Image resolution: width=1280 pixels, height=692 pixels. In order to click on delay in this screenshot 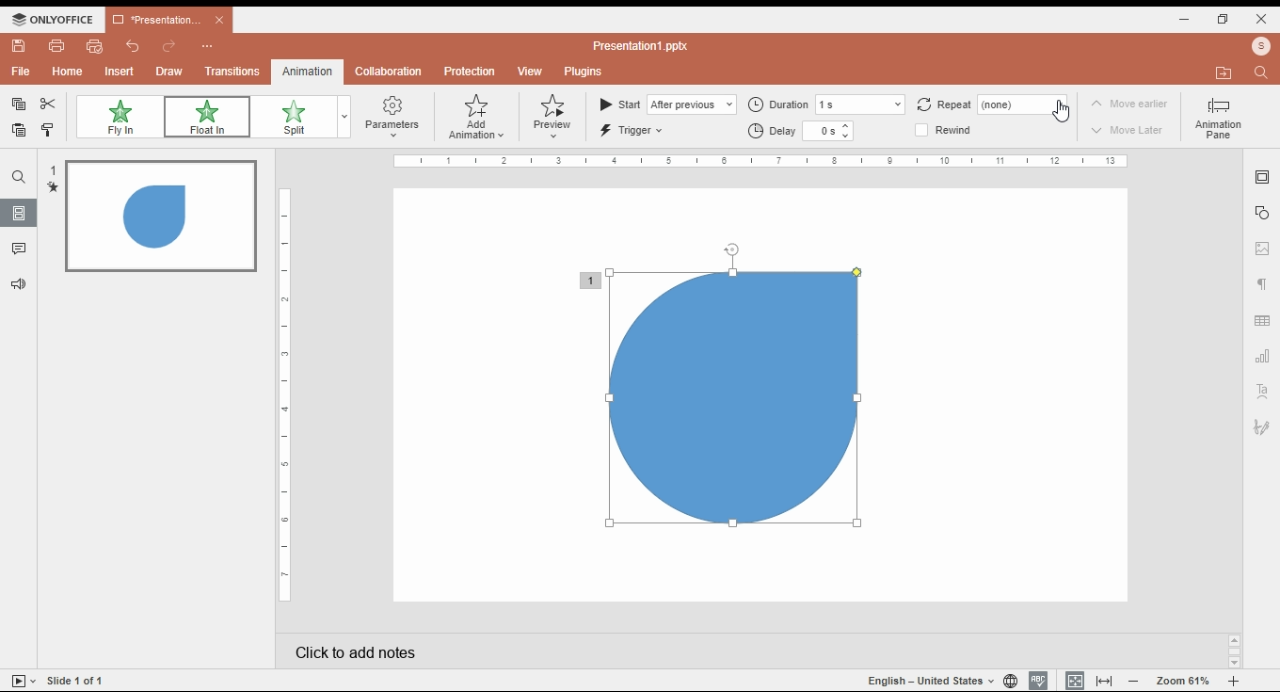, I will do `click(801, 131)`.